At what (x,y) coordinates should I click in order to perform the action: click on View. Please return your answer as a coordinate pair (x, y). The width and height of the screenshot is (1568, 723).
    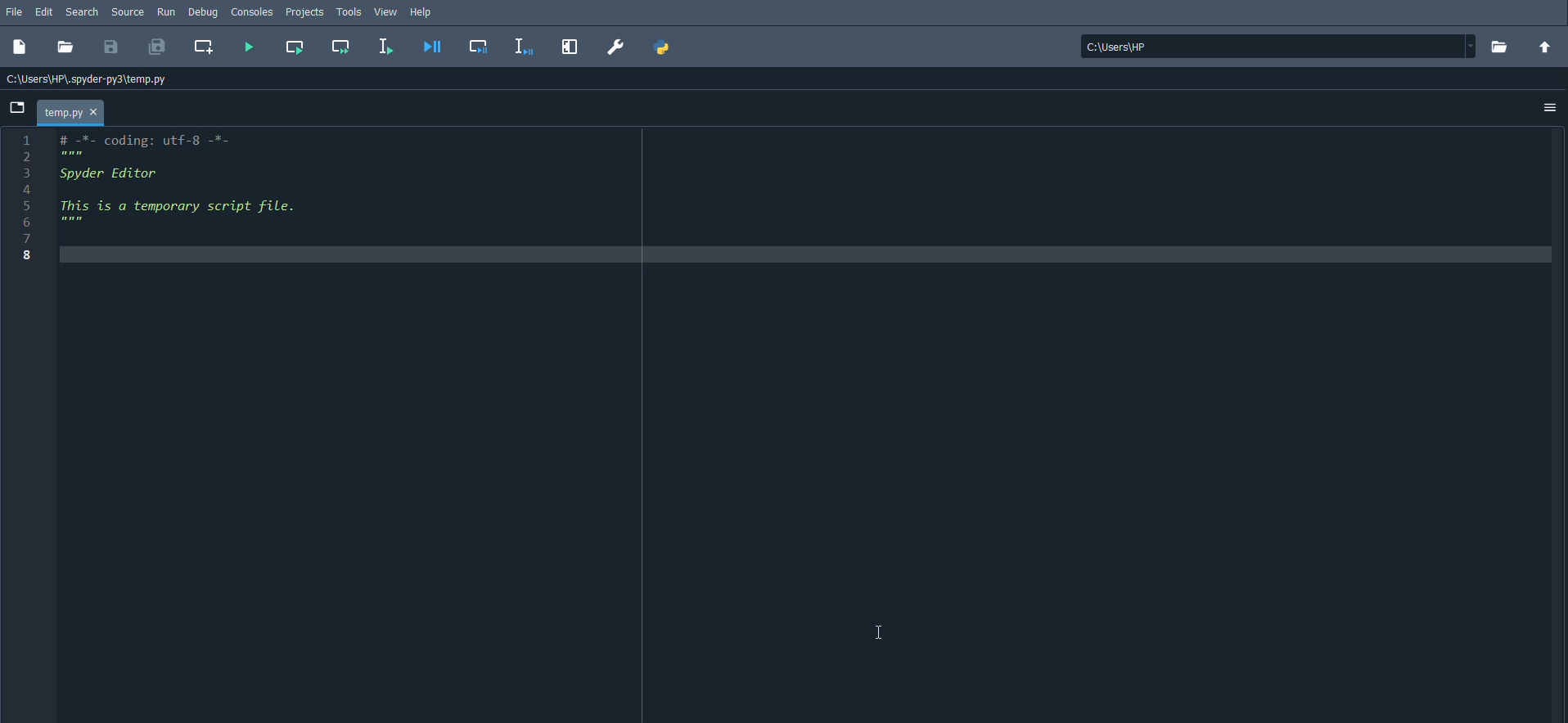
    Looking at the image, I should click on (385, 13).